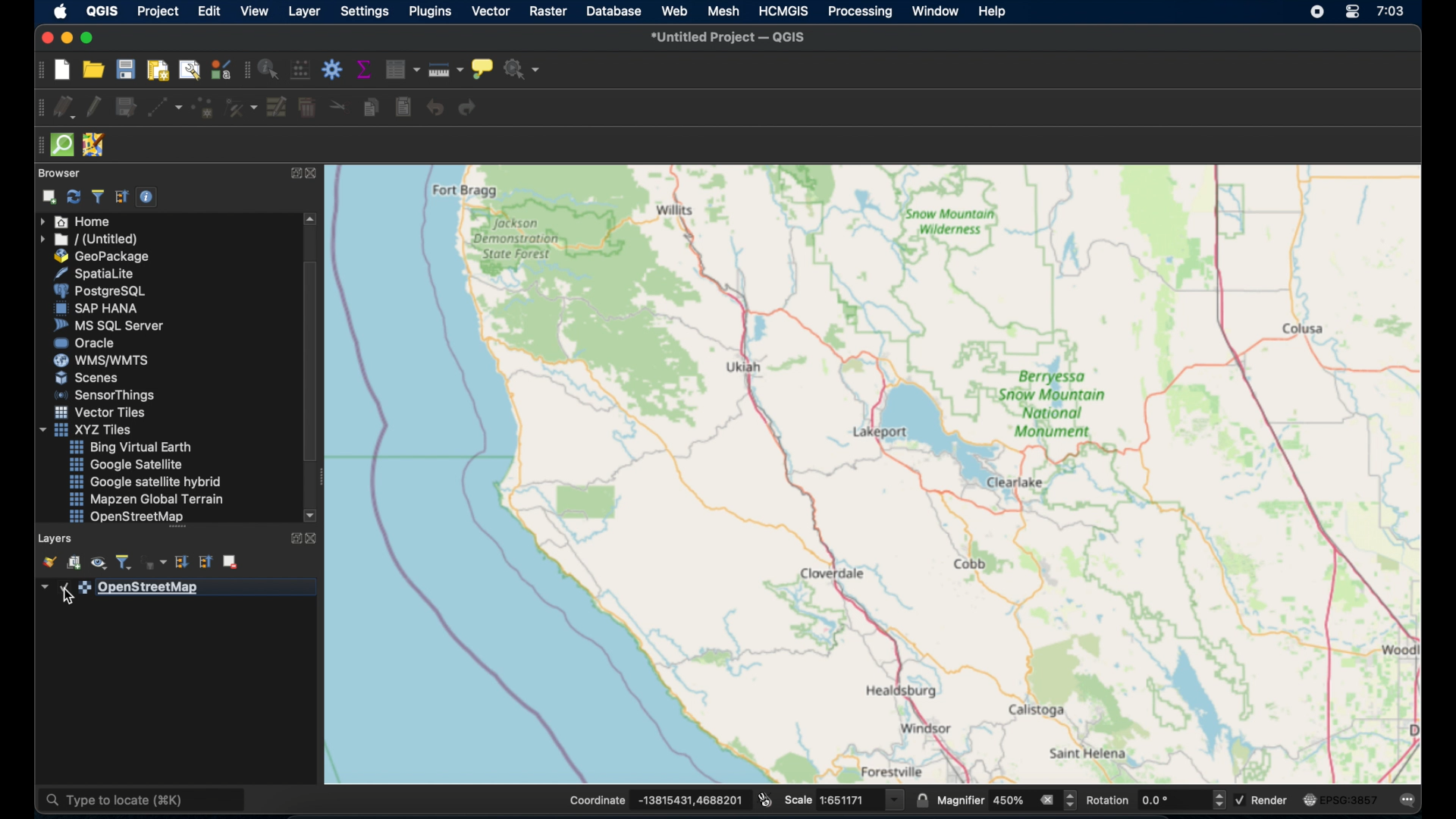 This screenshot has height=819, width=1456. I want to click on minimize, so click(64, 36).